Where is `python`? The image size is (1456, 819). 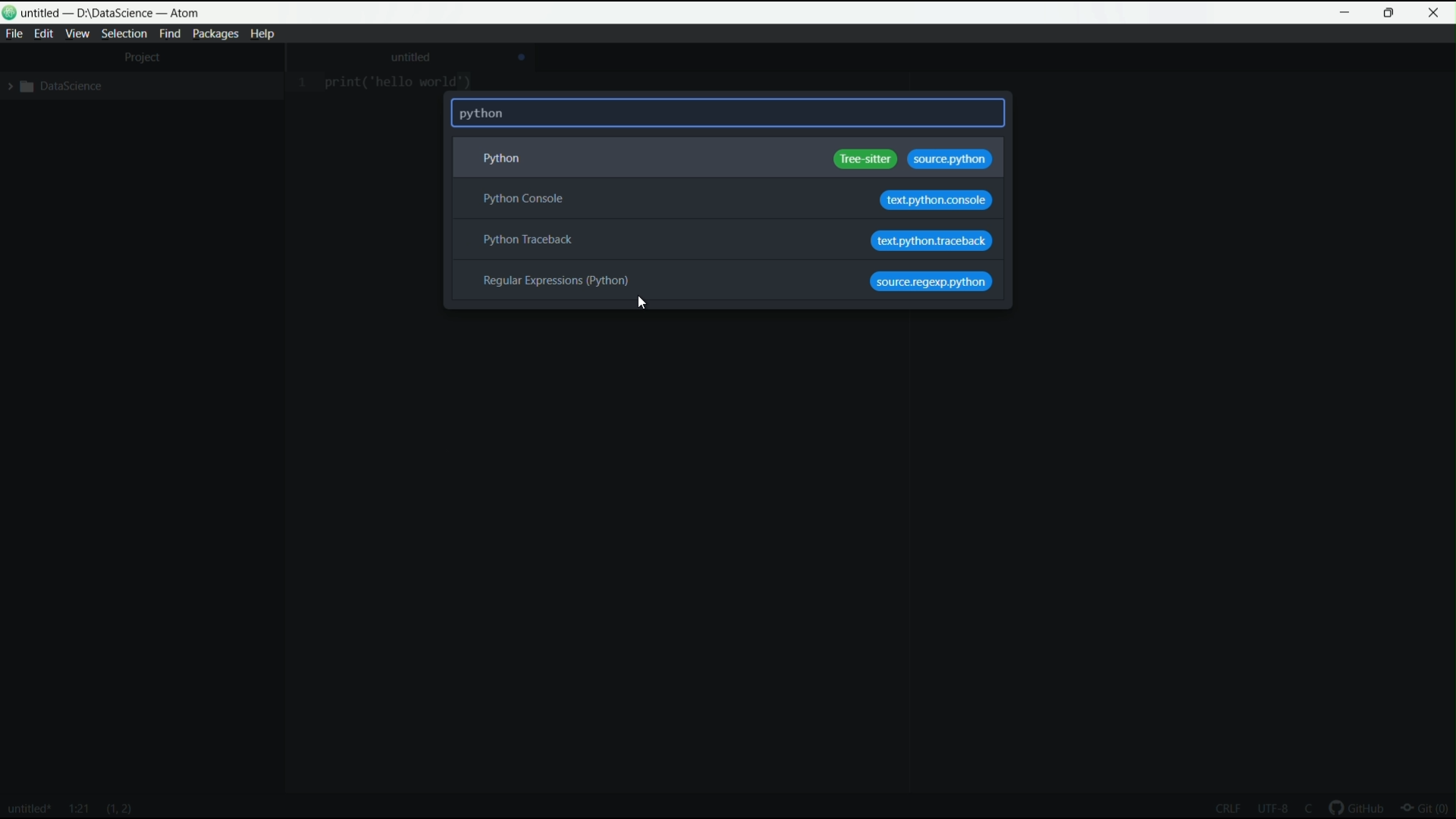 python is located at coordinates (485, 114).